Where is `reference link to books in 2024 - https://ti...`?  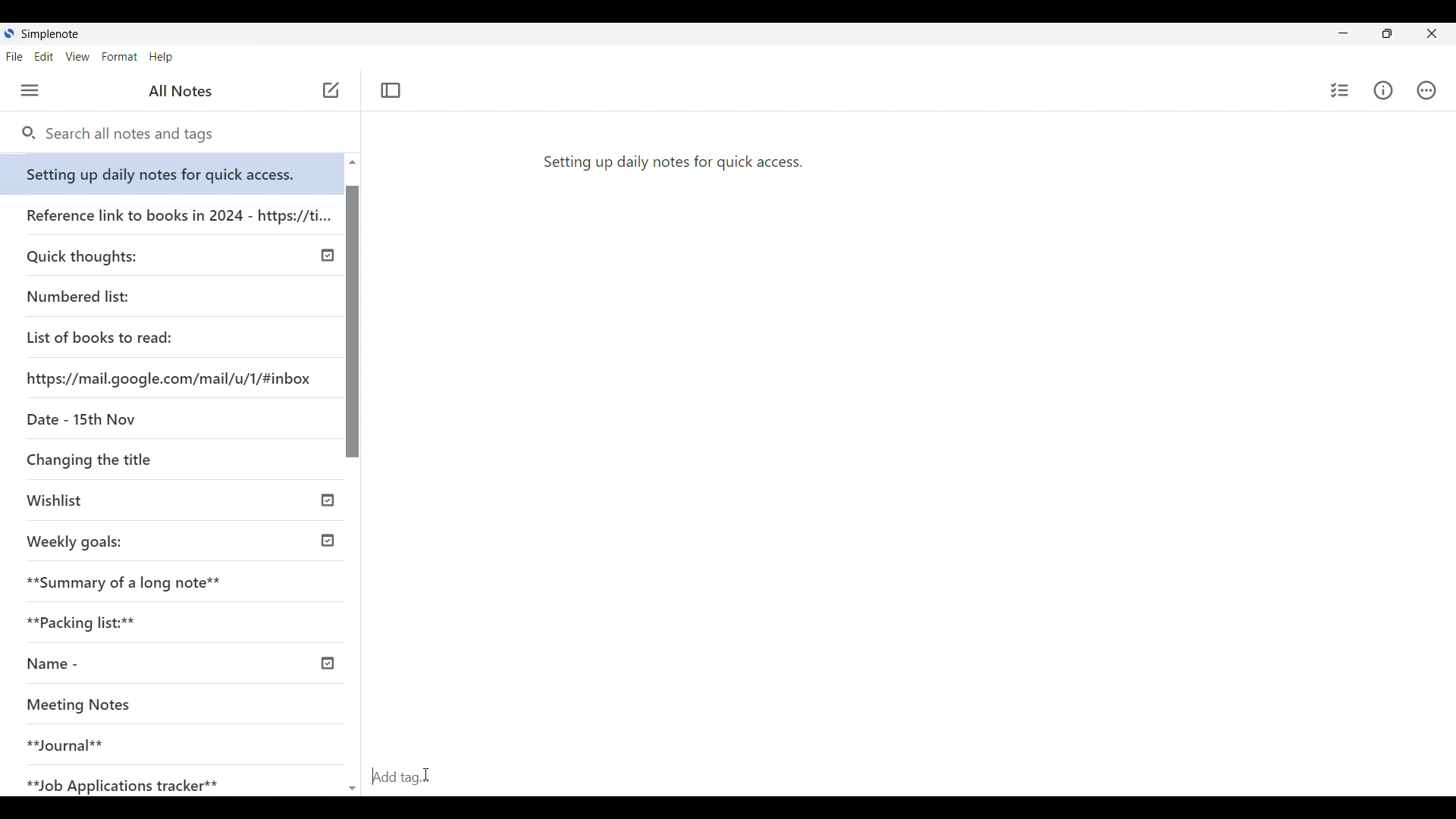
reference link to books in 2024 - https://ti... is located at coordinates (177, 212).